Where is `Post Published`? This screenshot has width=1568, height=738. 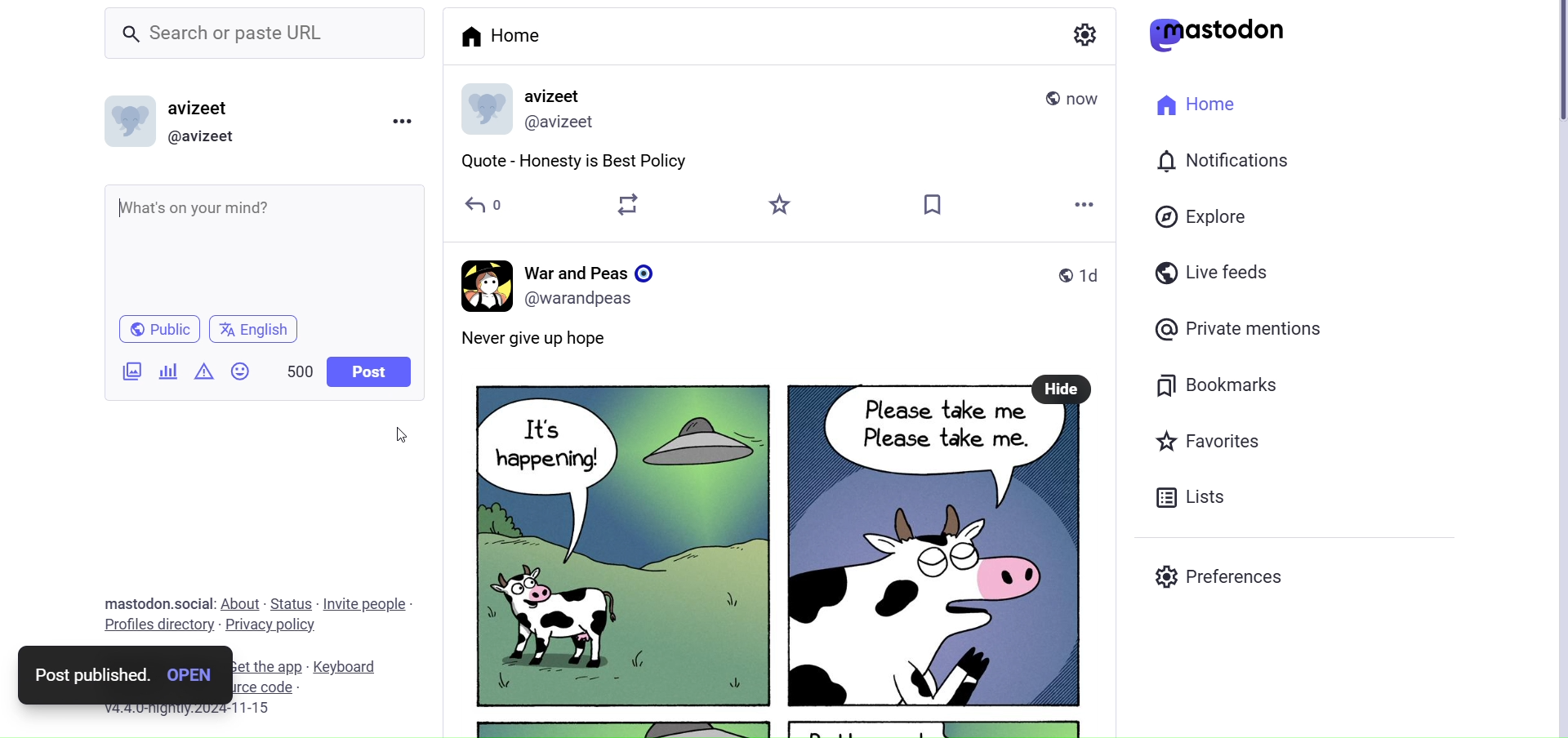
Post Published is located at coordinates (87, 676).